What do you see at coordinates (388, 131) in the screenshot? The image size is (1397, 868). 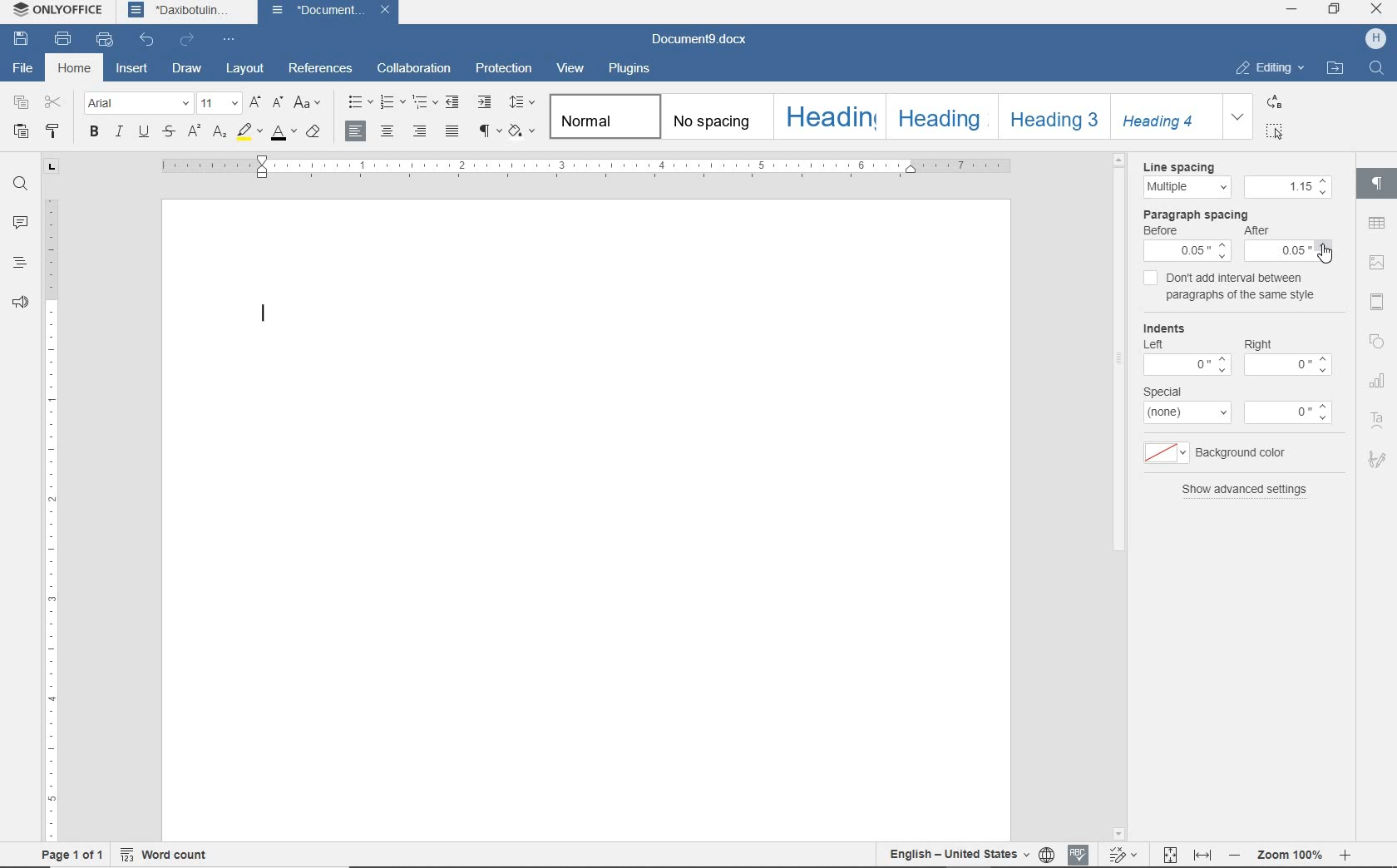 I see `align center` at bounding box center [388, 131].